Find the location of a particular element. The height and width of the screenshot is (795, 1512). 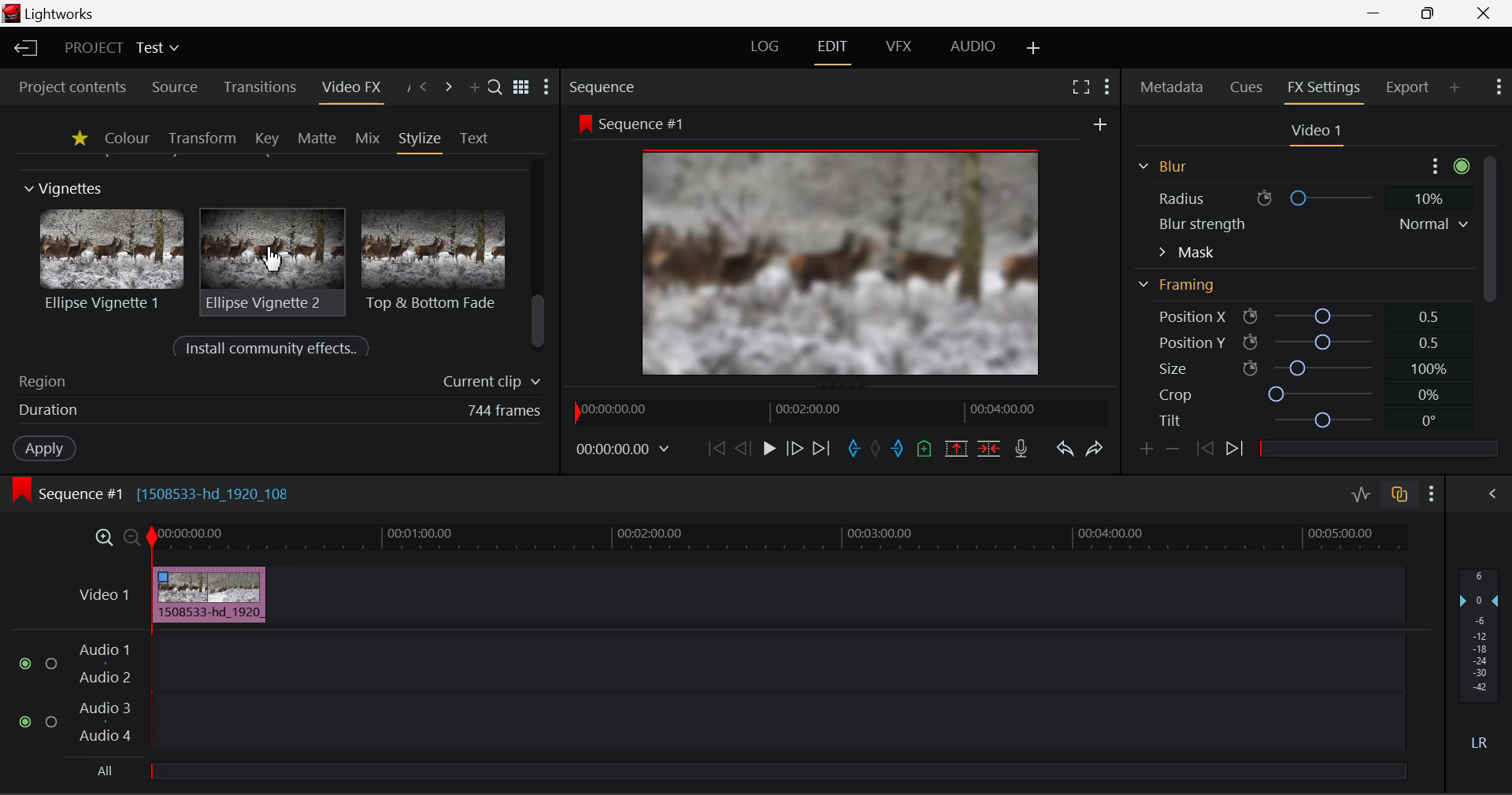

Vignettes Section is located at coordinates (65, 189).